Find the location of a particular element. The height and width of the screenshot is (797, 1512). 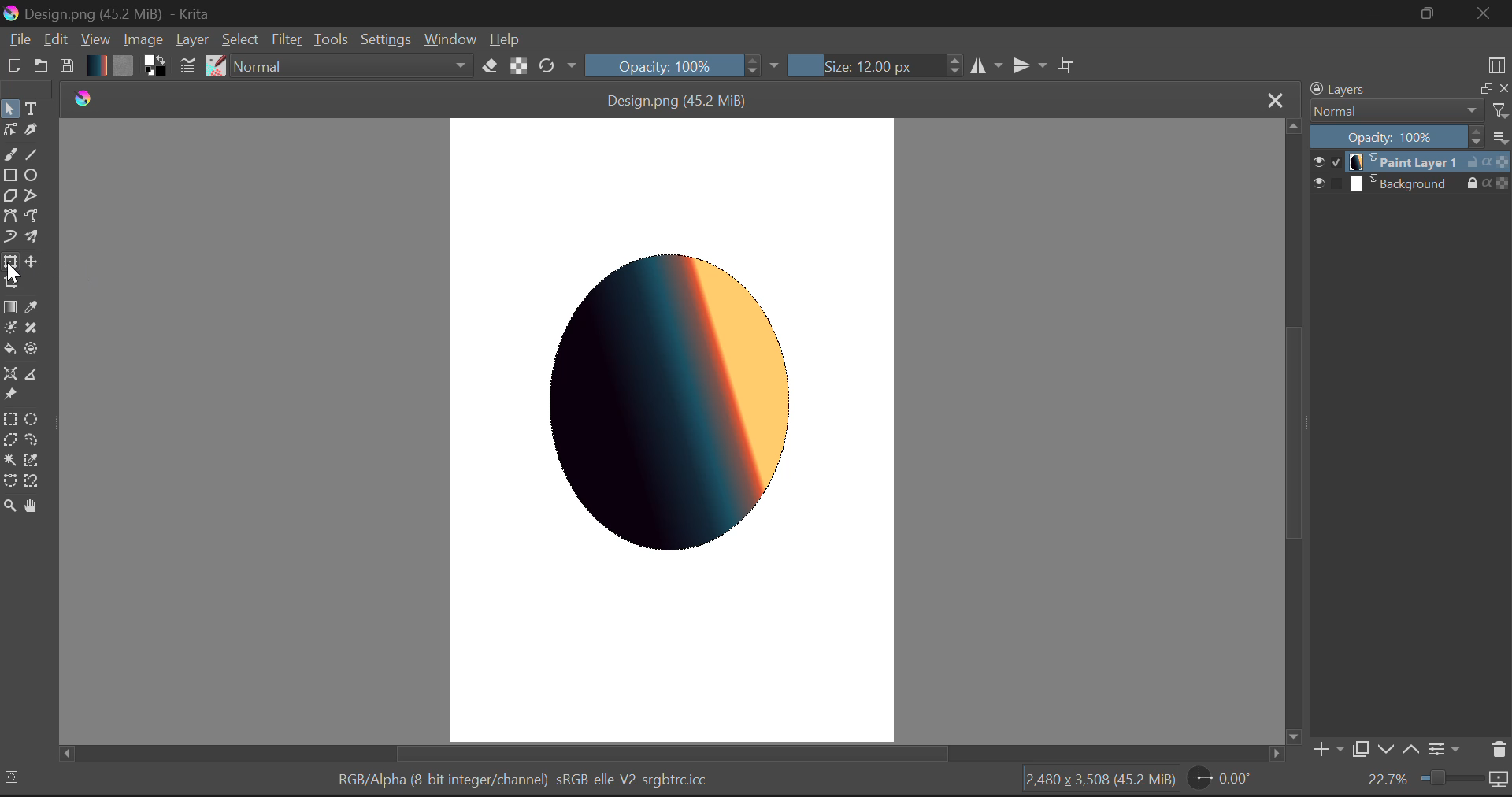

Brush Presets is located at coordinates (214, 66).